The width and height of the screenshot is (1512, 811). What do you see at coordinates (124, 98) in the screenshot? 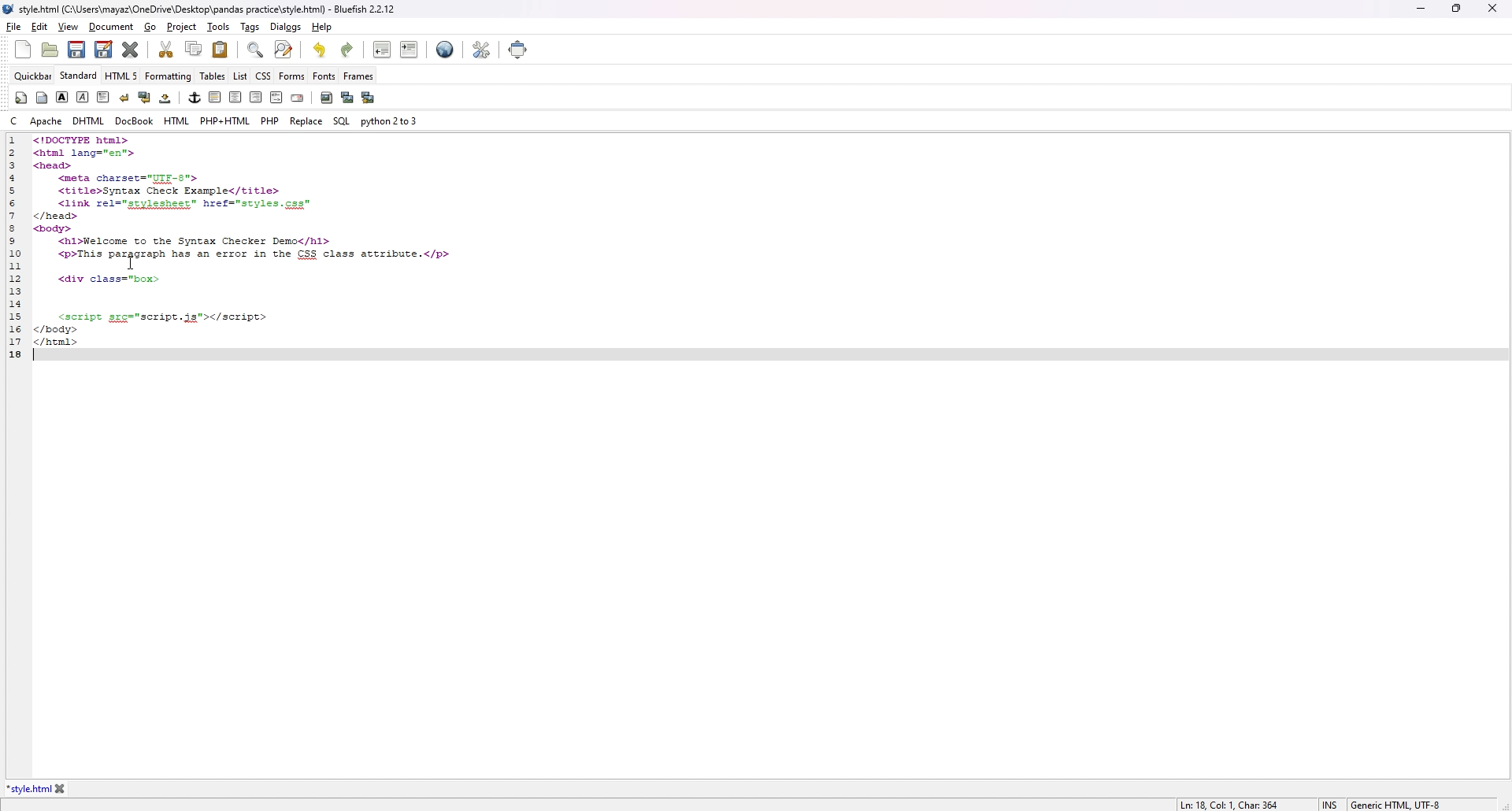
I see `break` at bounding box center [124, 98].